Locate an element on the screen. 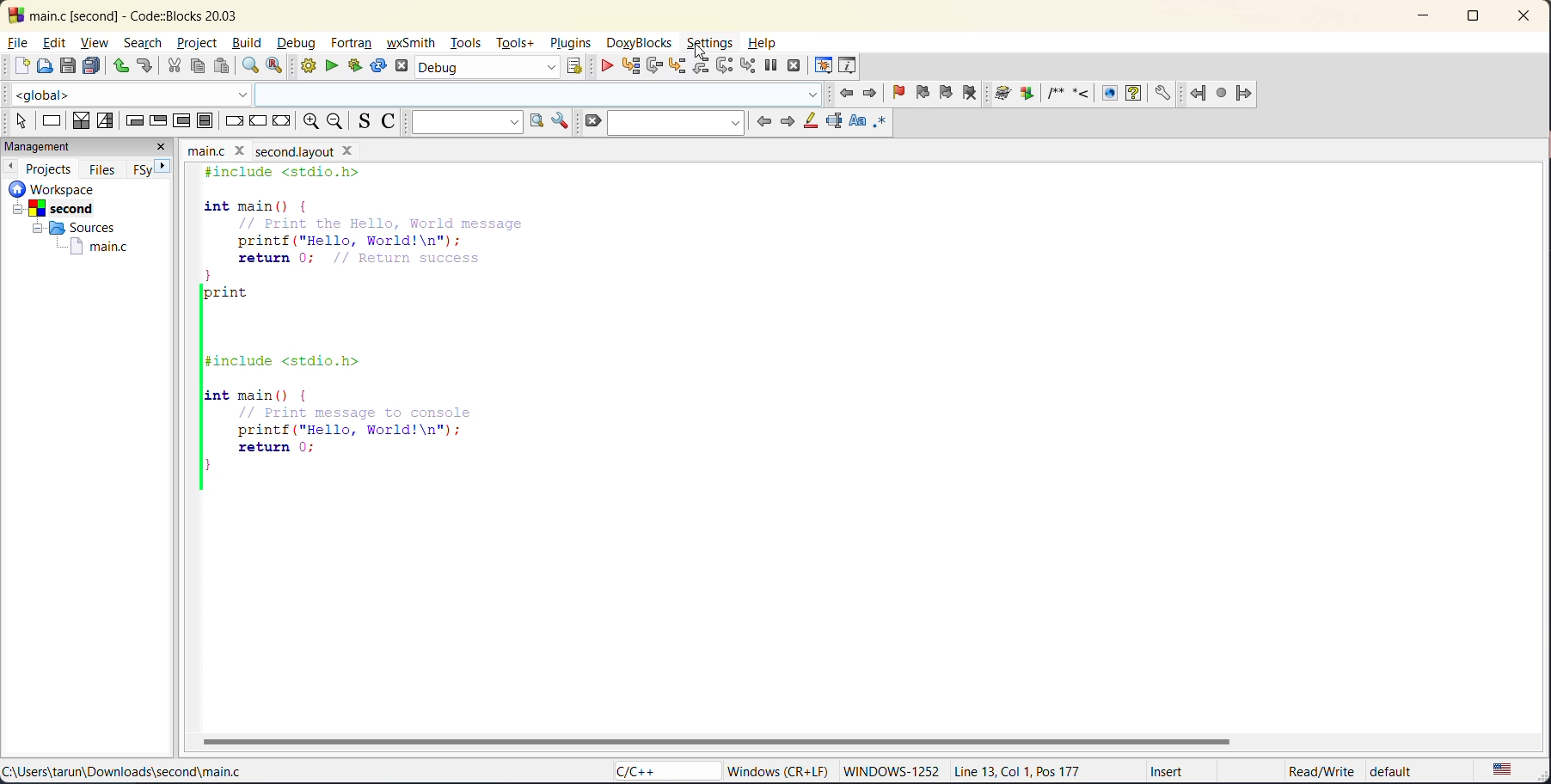 The image size is (1551, 784). minimize is located at coordinates (1424, 18).